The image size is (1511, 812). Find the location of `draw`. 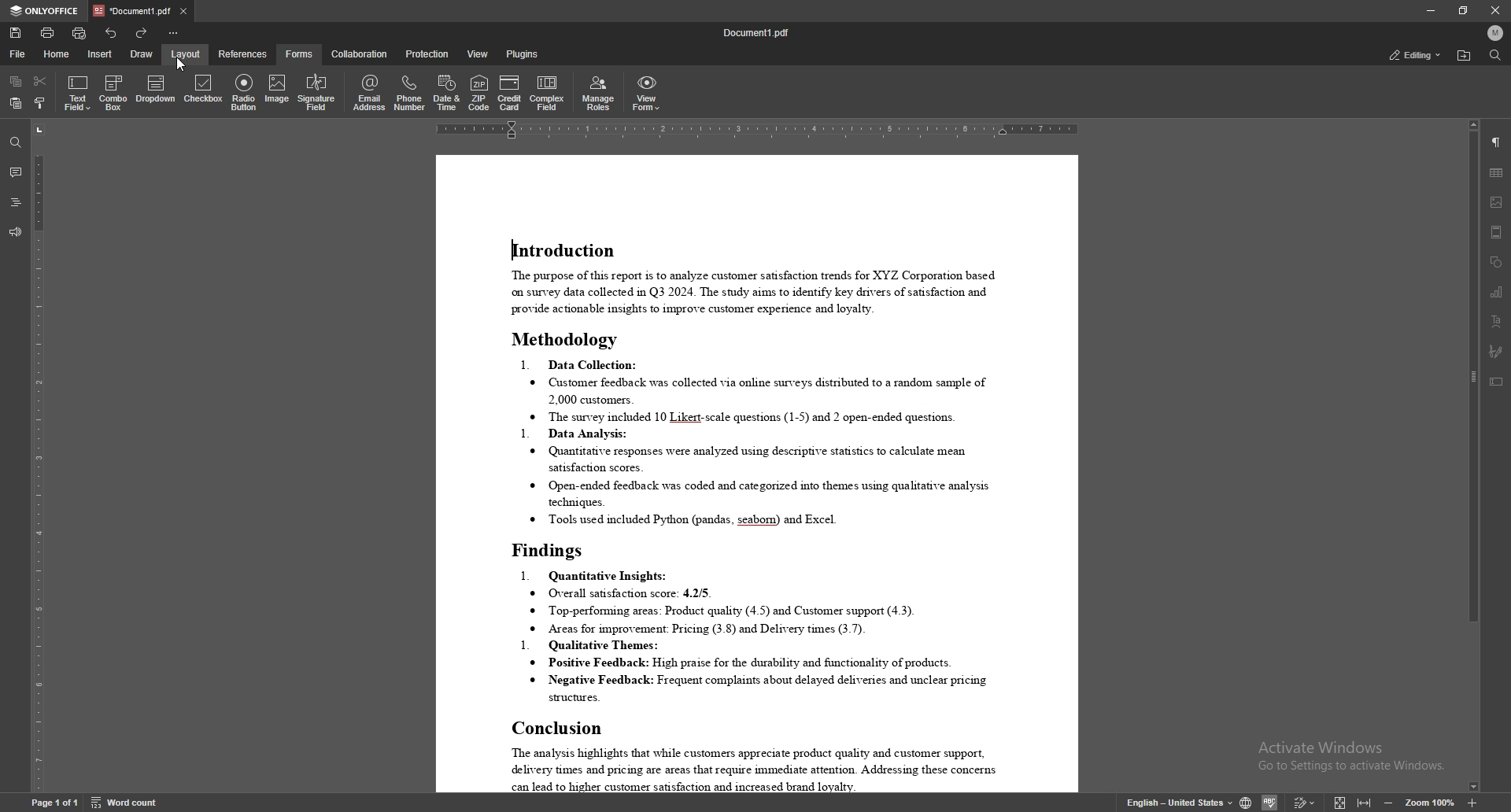

draw is located at coordinates (143, 54).